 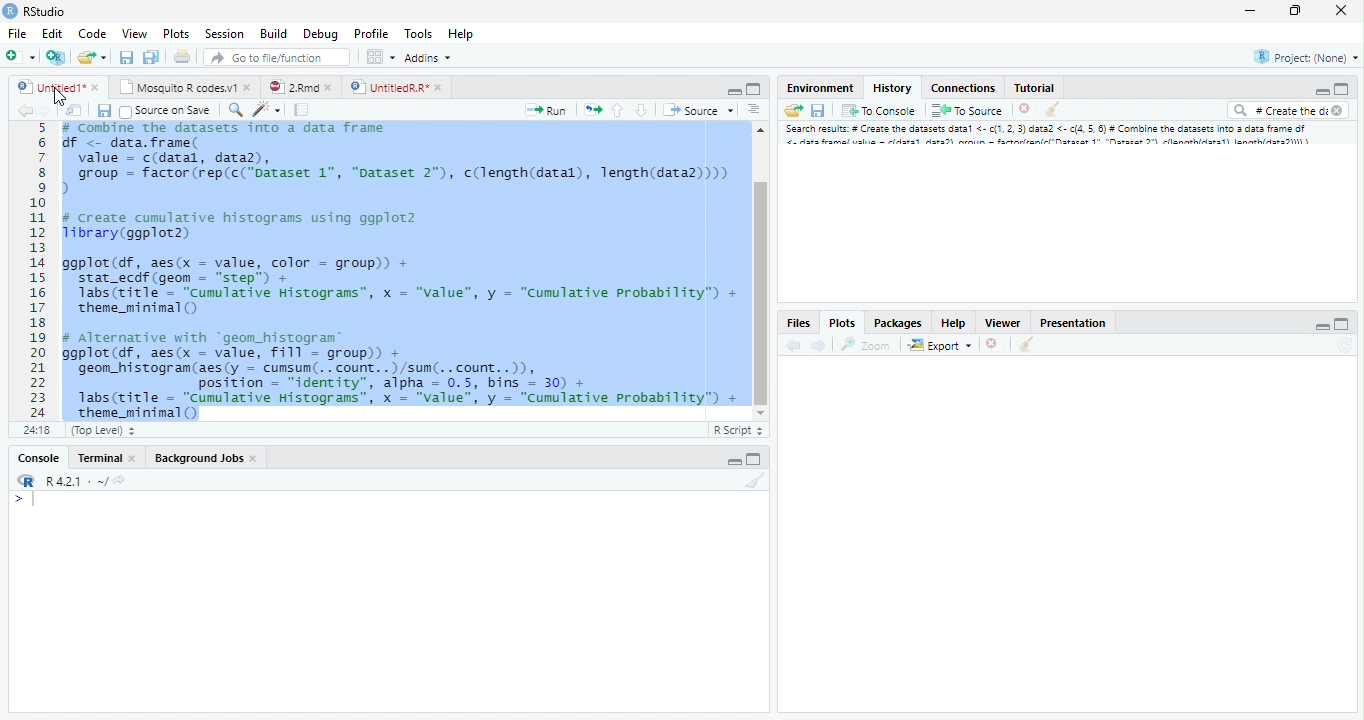 I want to click on Tutorial, so click(x=1035, y=88).